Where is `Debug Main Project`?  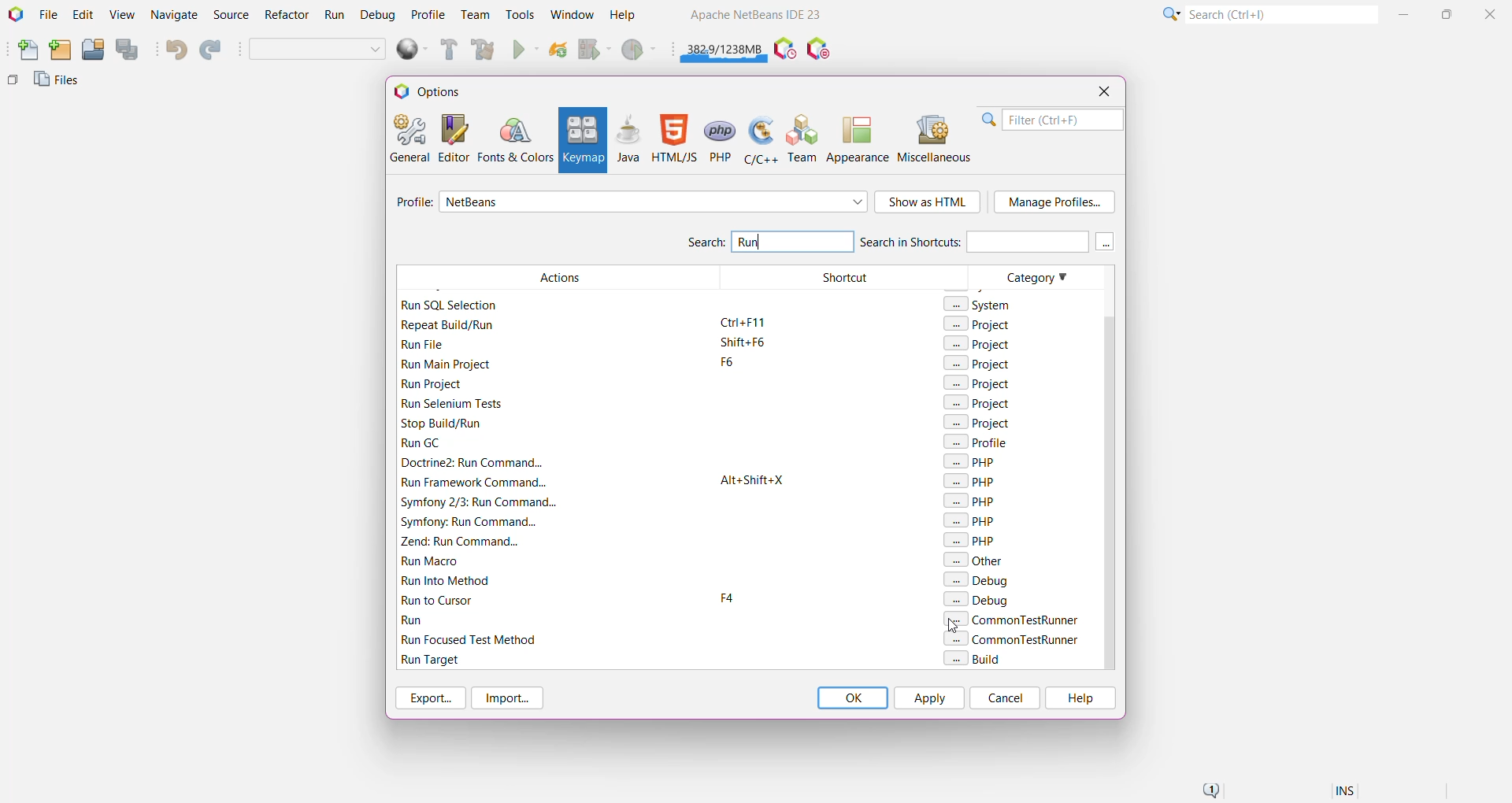 Debug Main Project is located at coordinates (594, 50).